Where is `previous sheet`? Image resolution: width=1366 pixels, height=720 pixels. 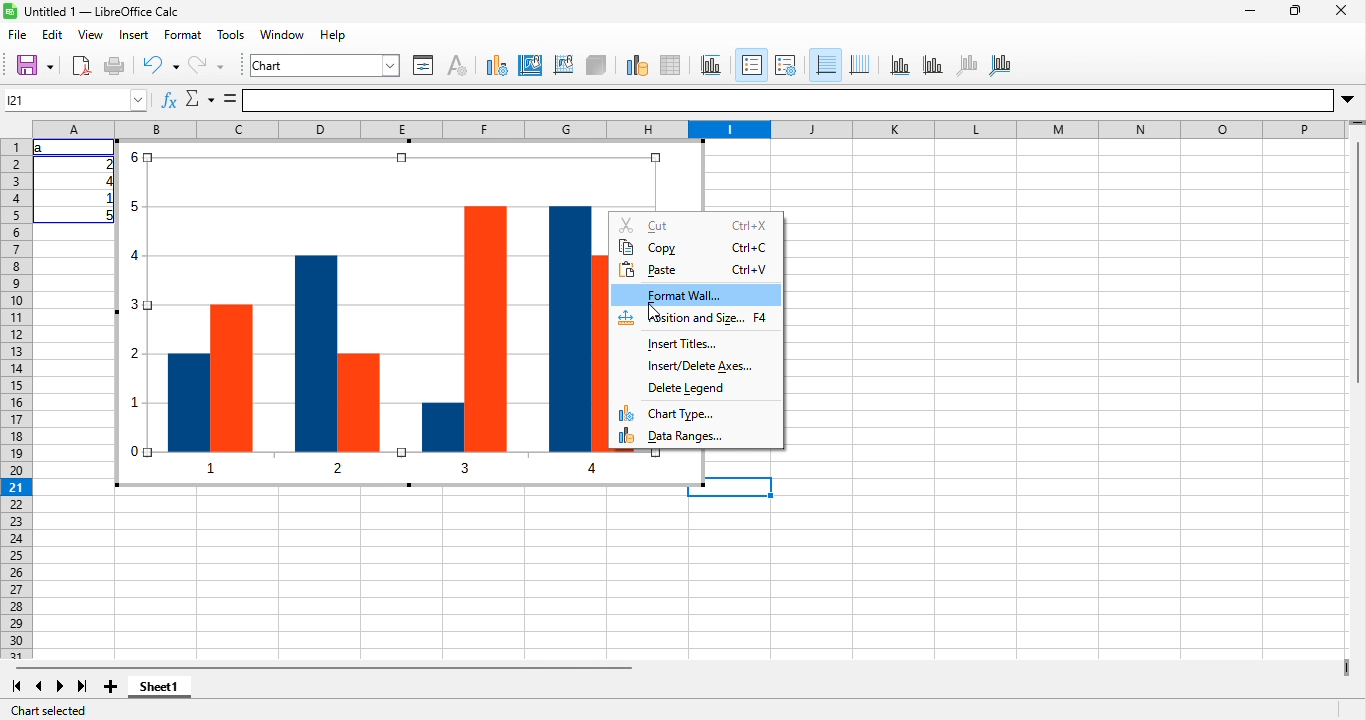 previous sheet is located at coordinates (38, 686).